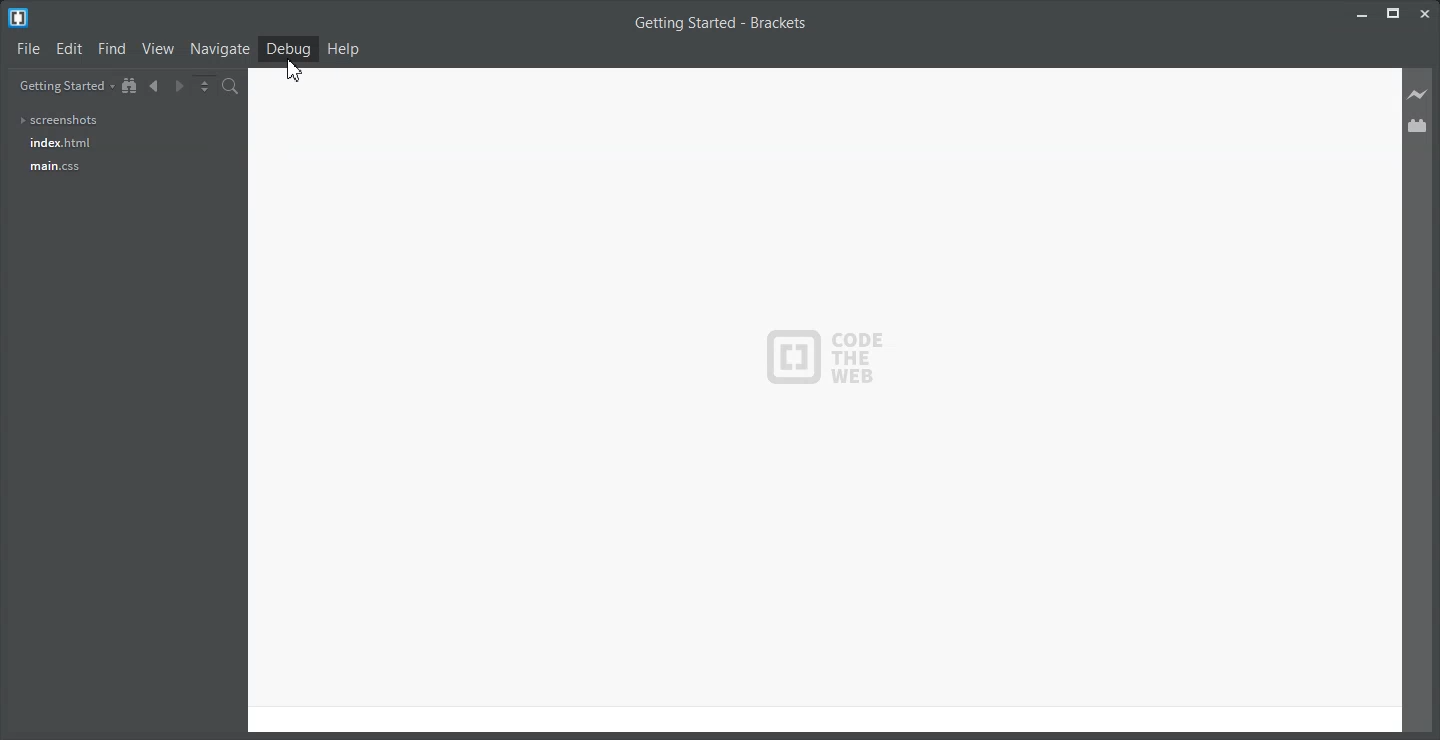 This screenshot has height=740, width=1440. Describe the element at coordinates (295, 73) in the screenshot. I see `cursor` at that location.